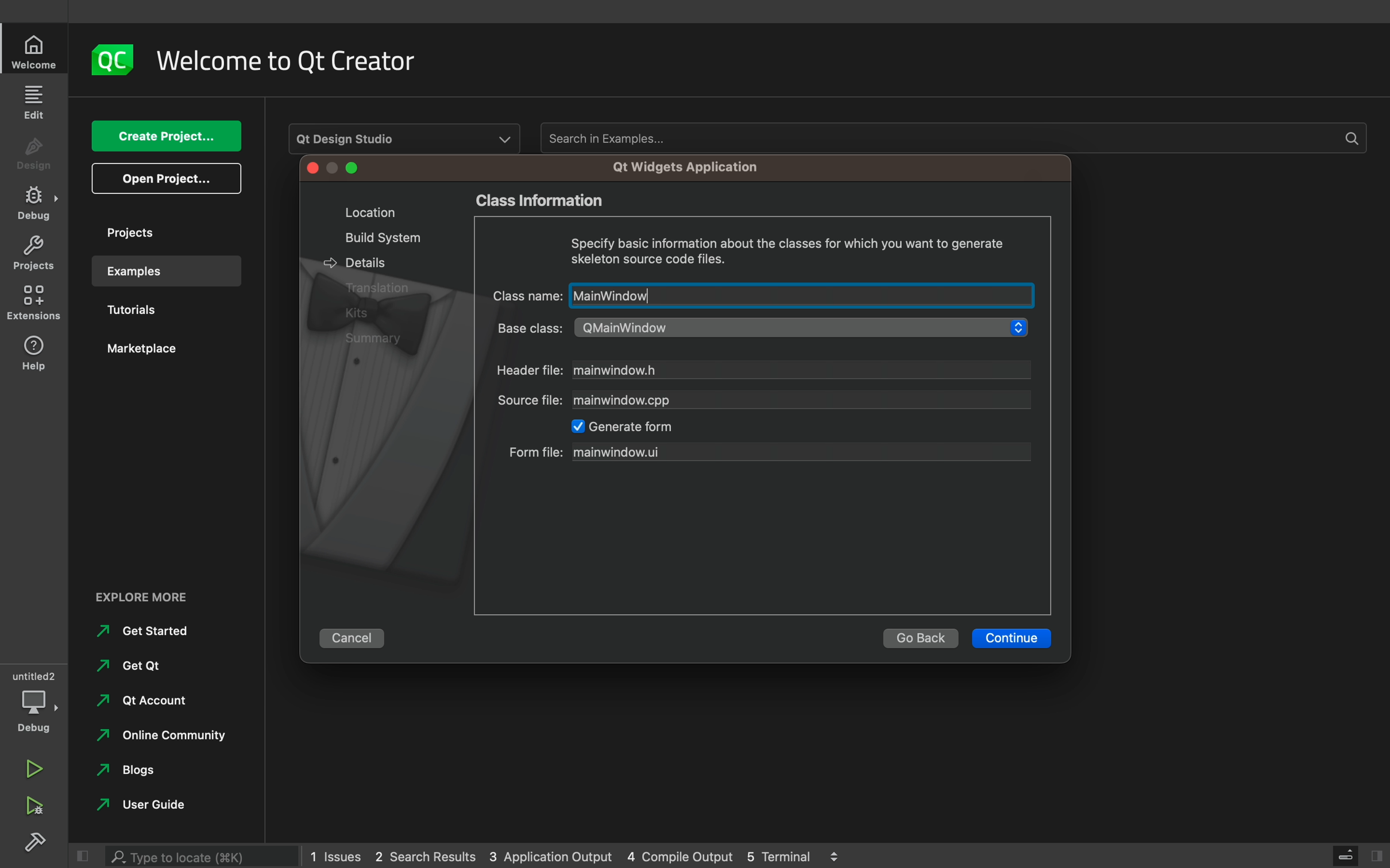  What do you see at coordinates (379, 289) in the screenshot?
I see `` at bounding box center [379, 289].